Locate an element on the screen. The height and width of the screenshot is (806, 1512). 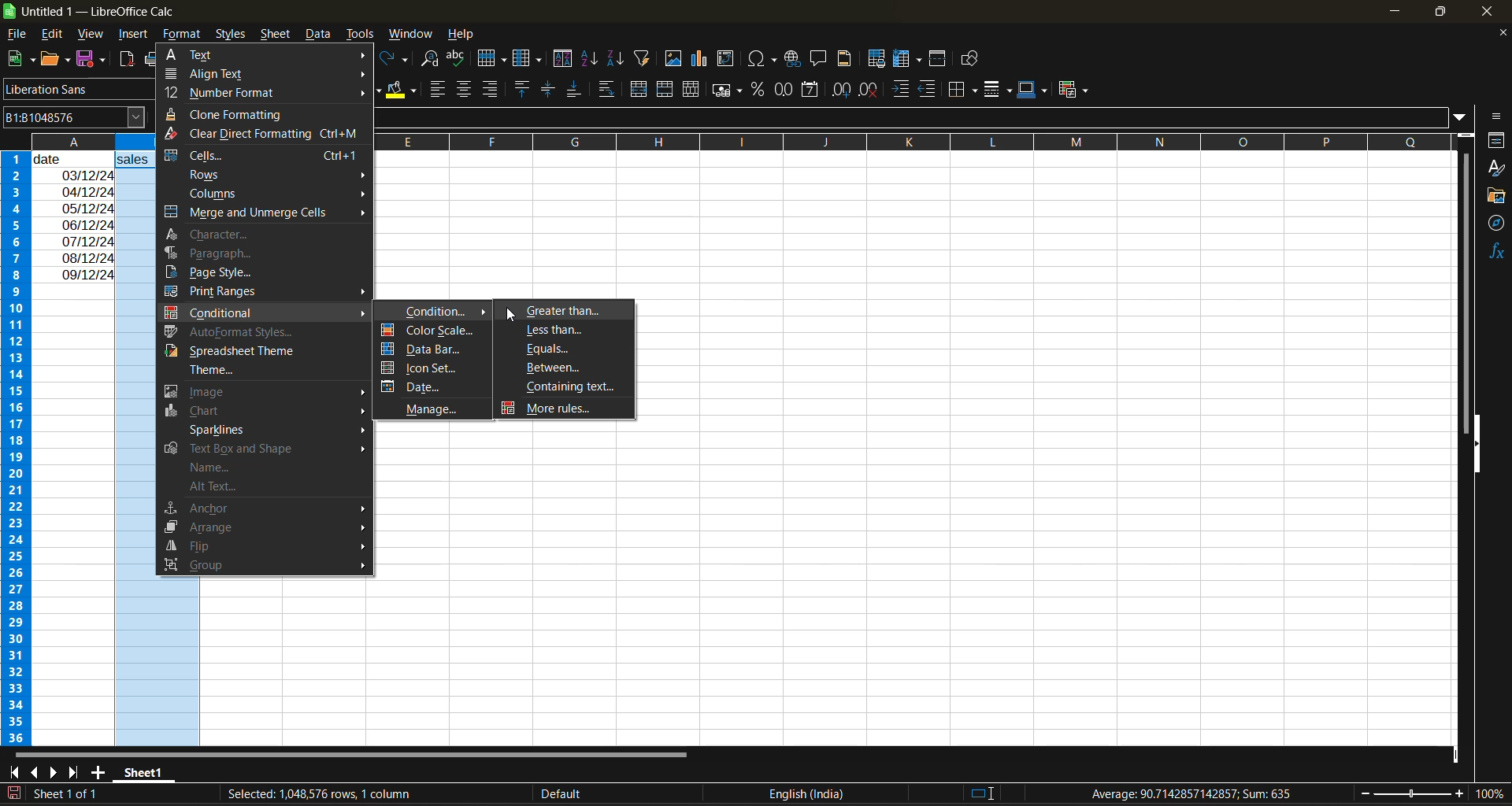
wrap text is located at coordinates (609, 89).